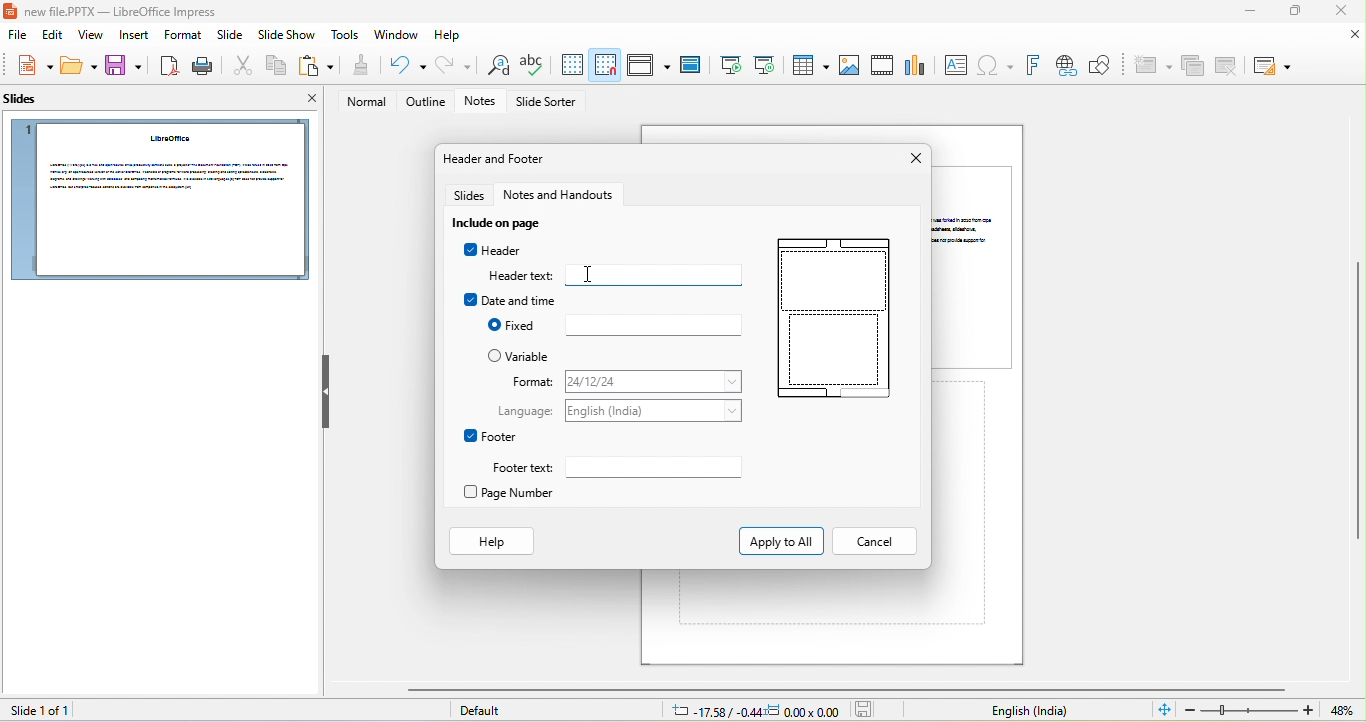 This screenshot has width=1366, height=722. I want to click on master slide, so click(690, 66).